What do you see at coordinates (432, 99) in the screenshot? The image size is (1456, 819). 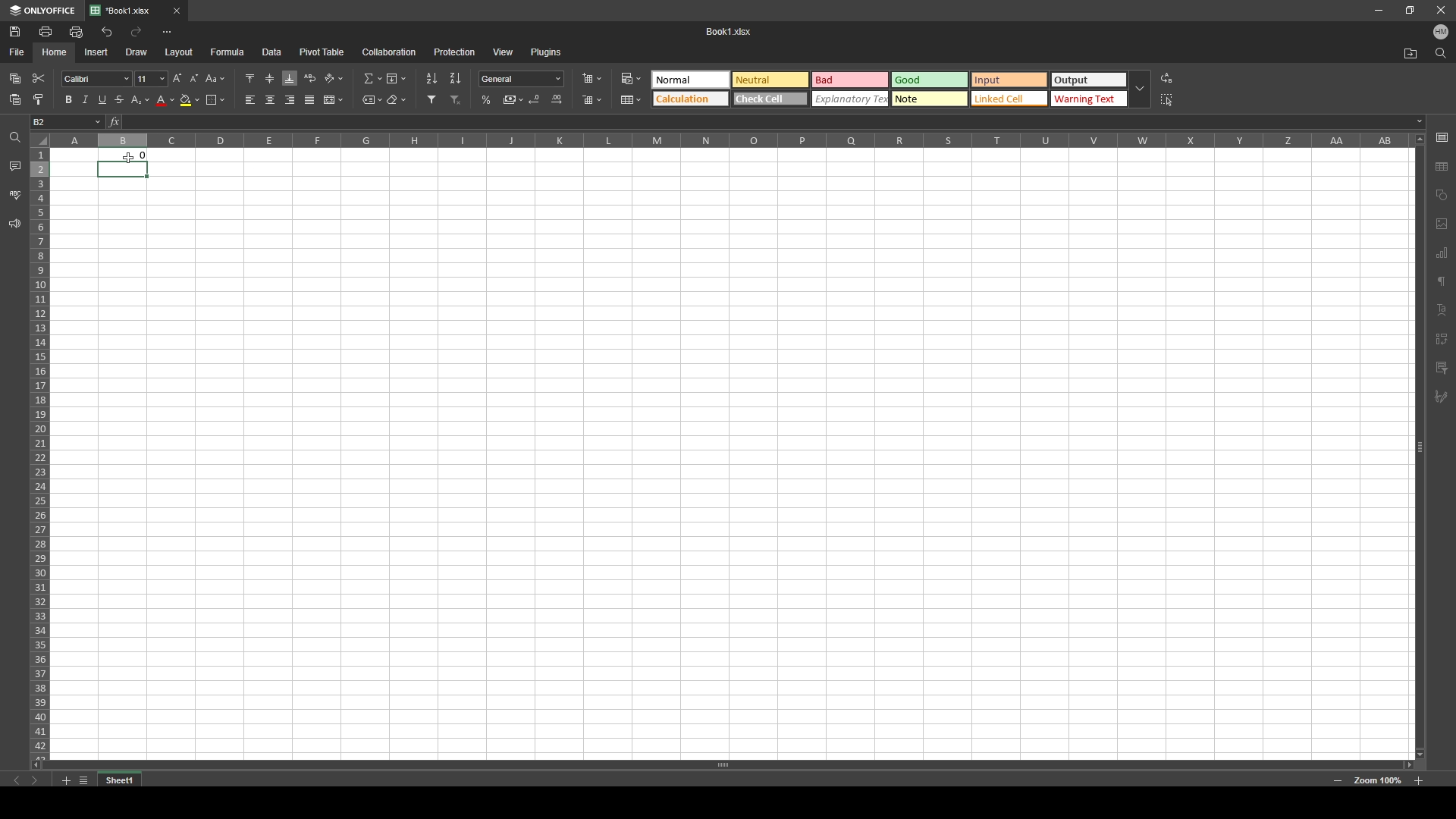 I see `filter` at bounding box center [432, 99].